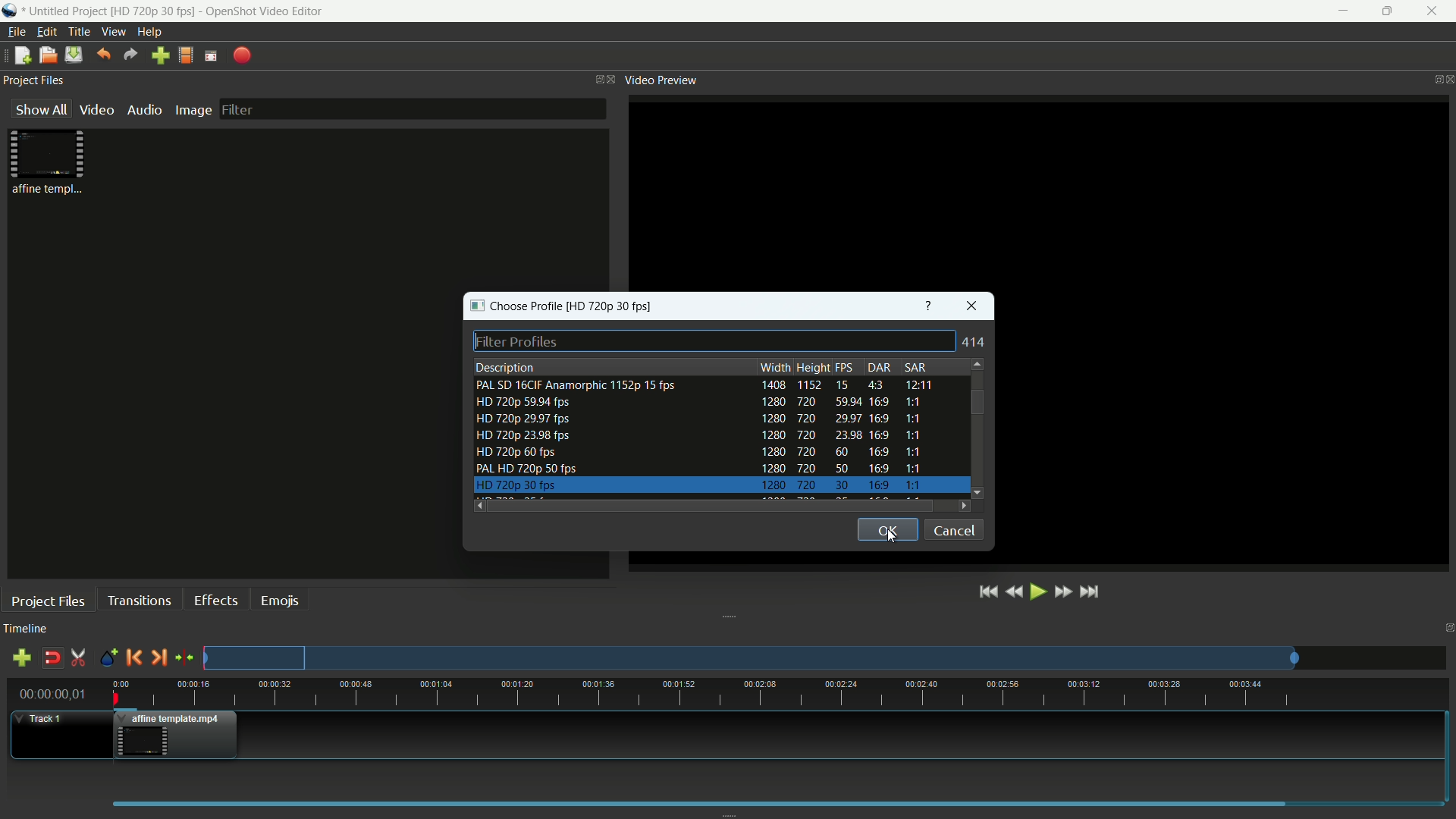 This screenshot has height=819, width=1456. I want to click on redo, so click(131, 55).